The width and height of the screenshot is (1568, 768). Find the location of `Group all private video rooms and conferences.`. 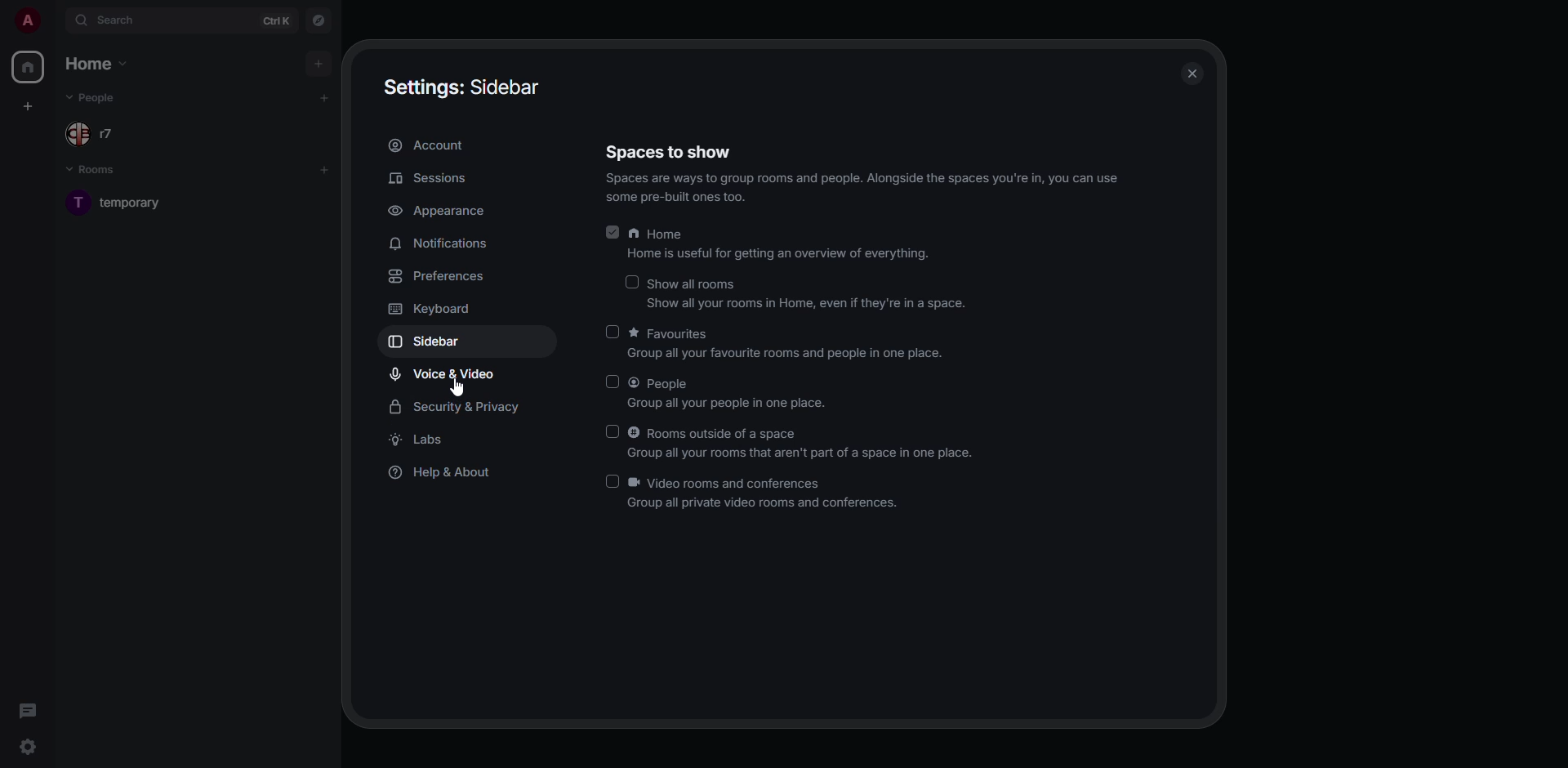

Group all private video rooms and conferences. is located at coordinates (744, 503).